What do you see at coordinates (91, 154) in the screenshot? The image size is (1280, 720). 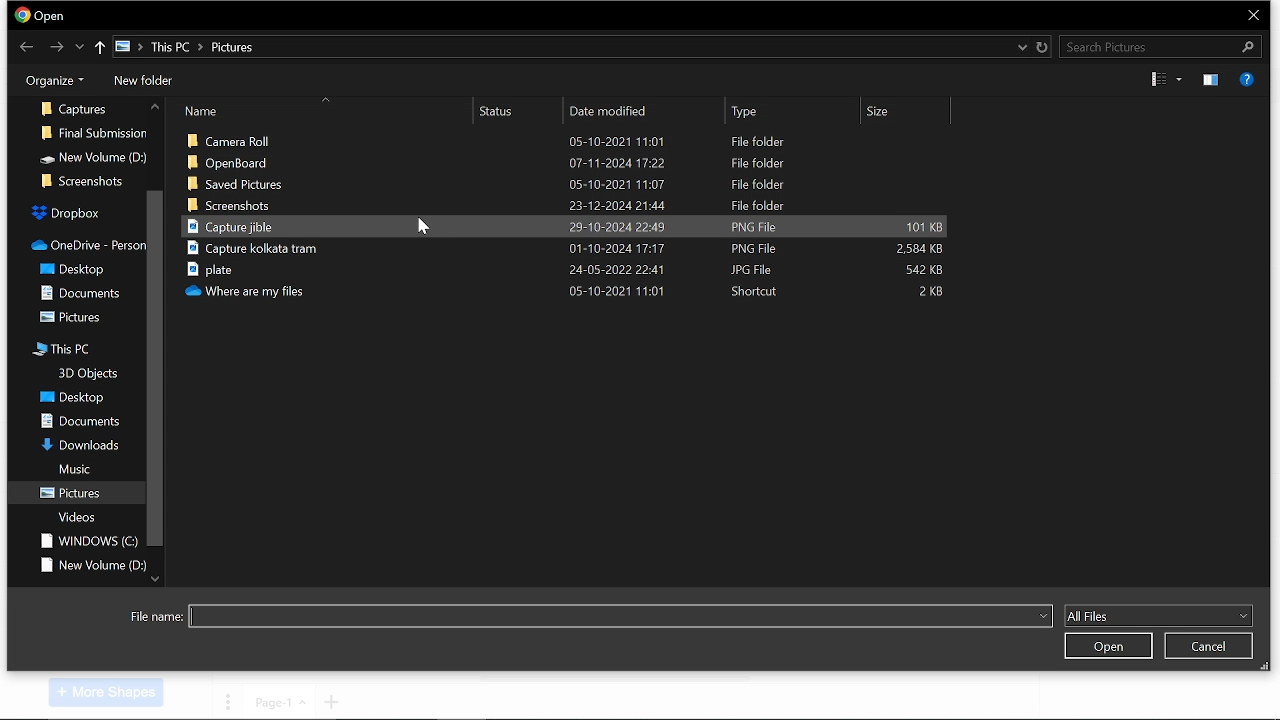 I see `folders` at bounding box center [91, 154].